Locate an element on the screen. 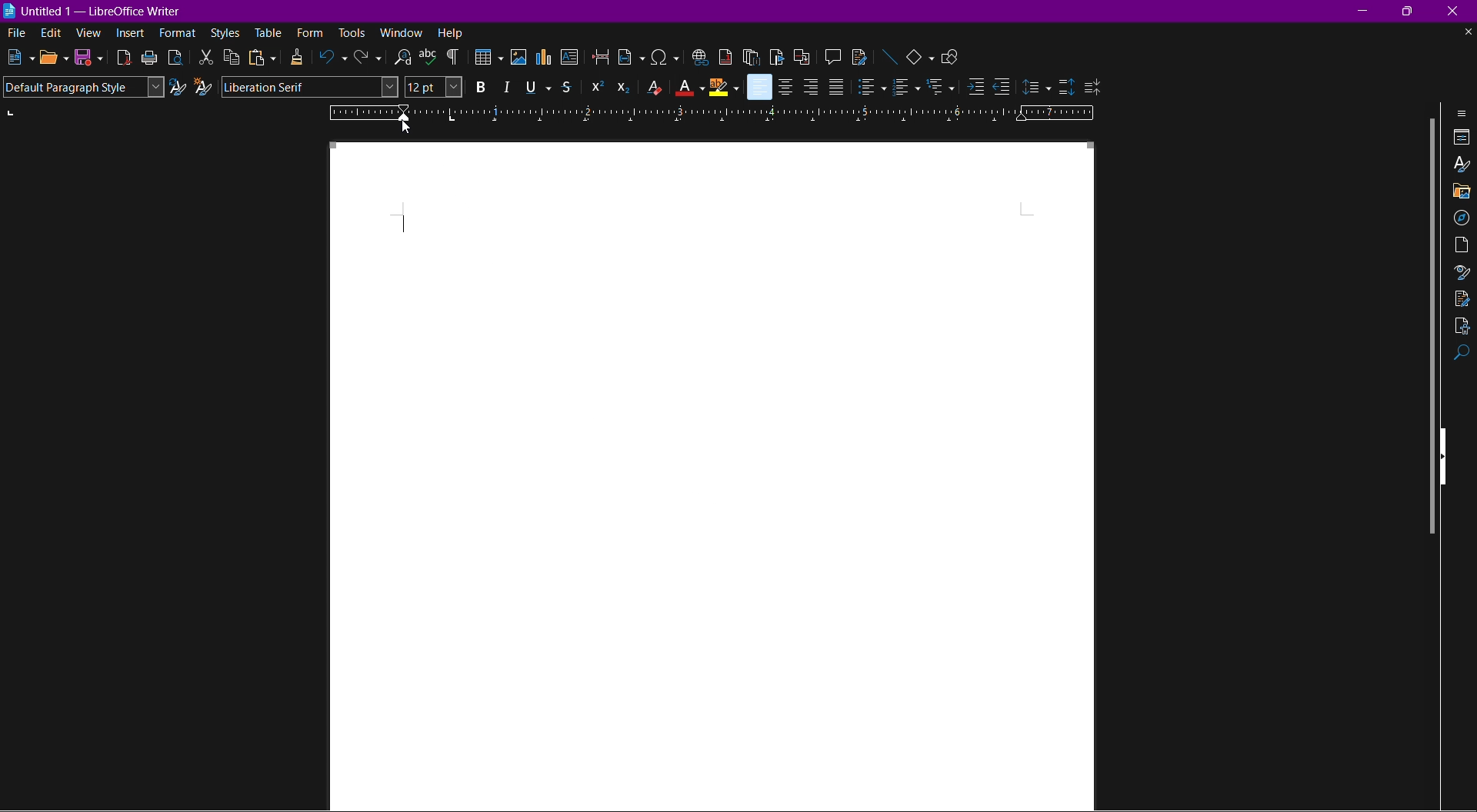  Insert Text Box is located at coordinates (571, 59).